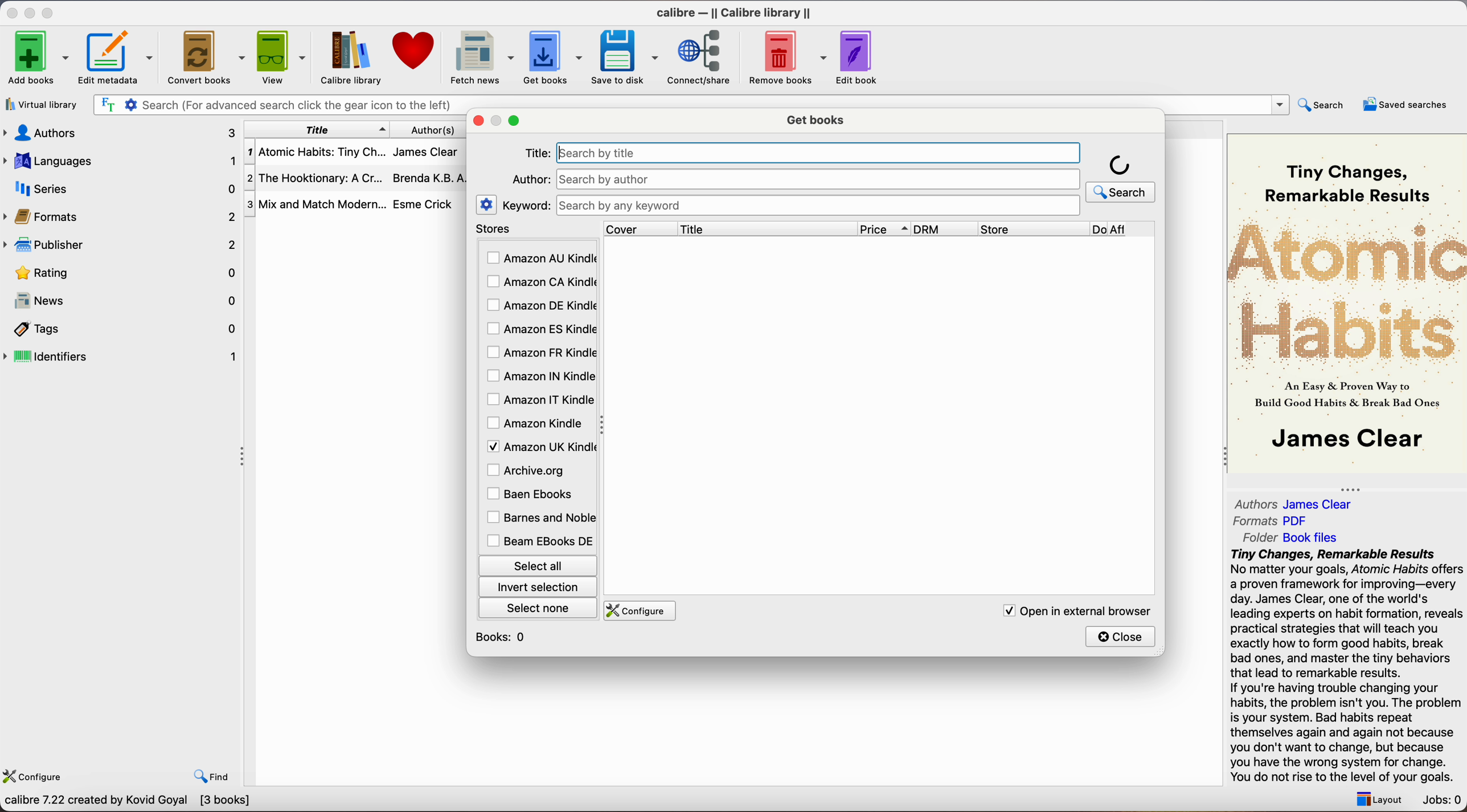 The height and width of the screenshot is (812, 1467). What do you see at coordinates (540, 283) in the screenshot?
I see `Amazon CA Kindle` at bounding box center [540, 283].